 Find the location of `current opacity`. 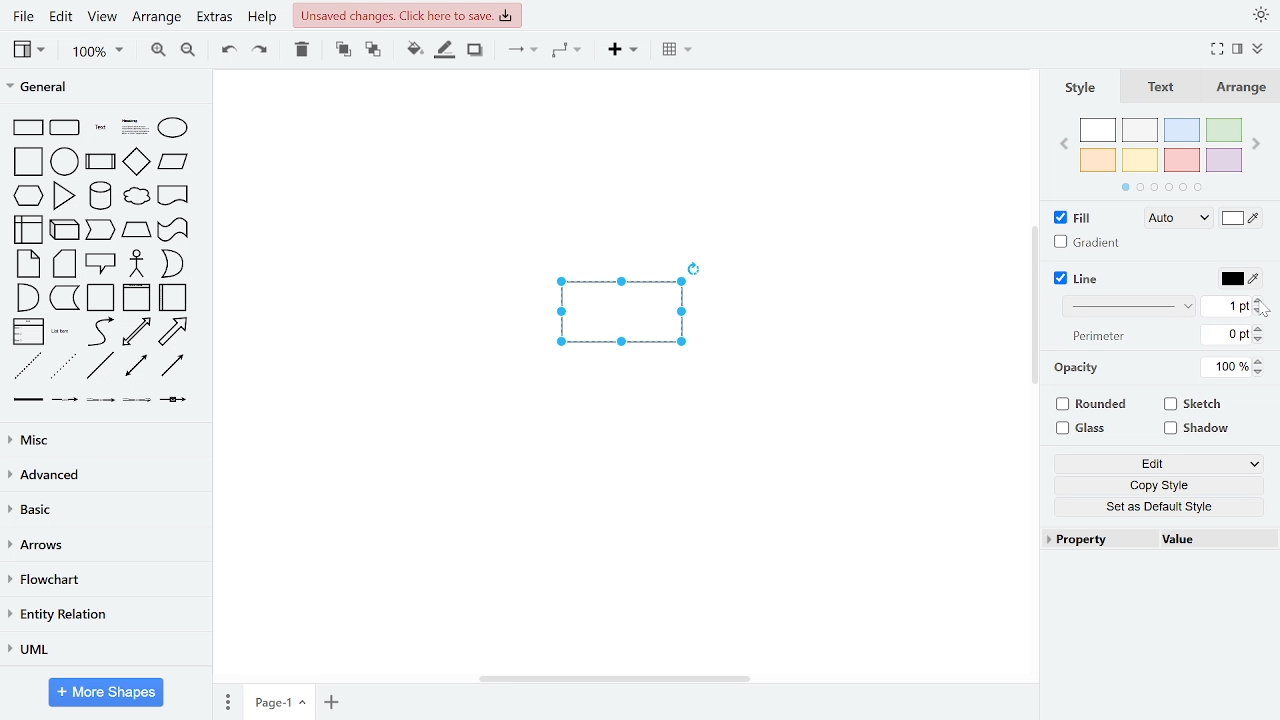

current opacity is located at coordinates (1226, 368).